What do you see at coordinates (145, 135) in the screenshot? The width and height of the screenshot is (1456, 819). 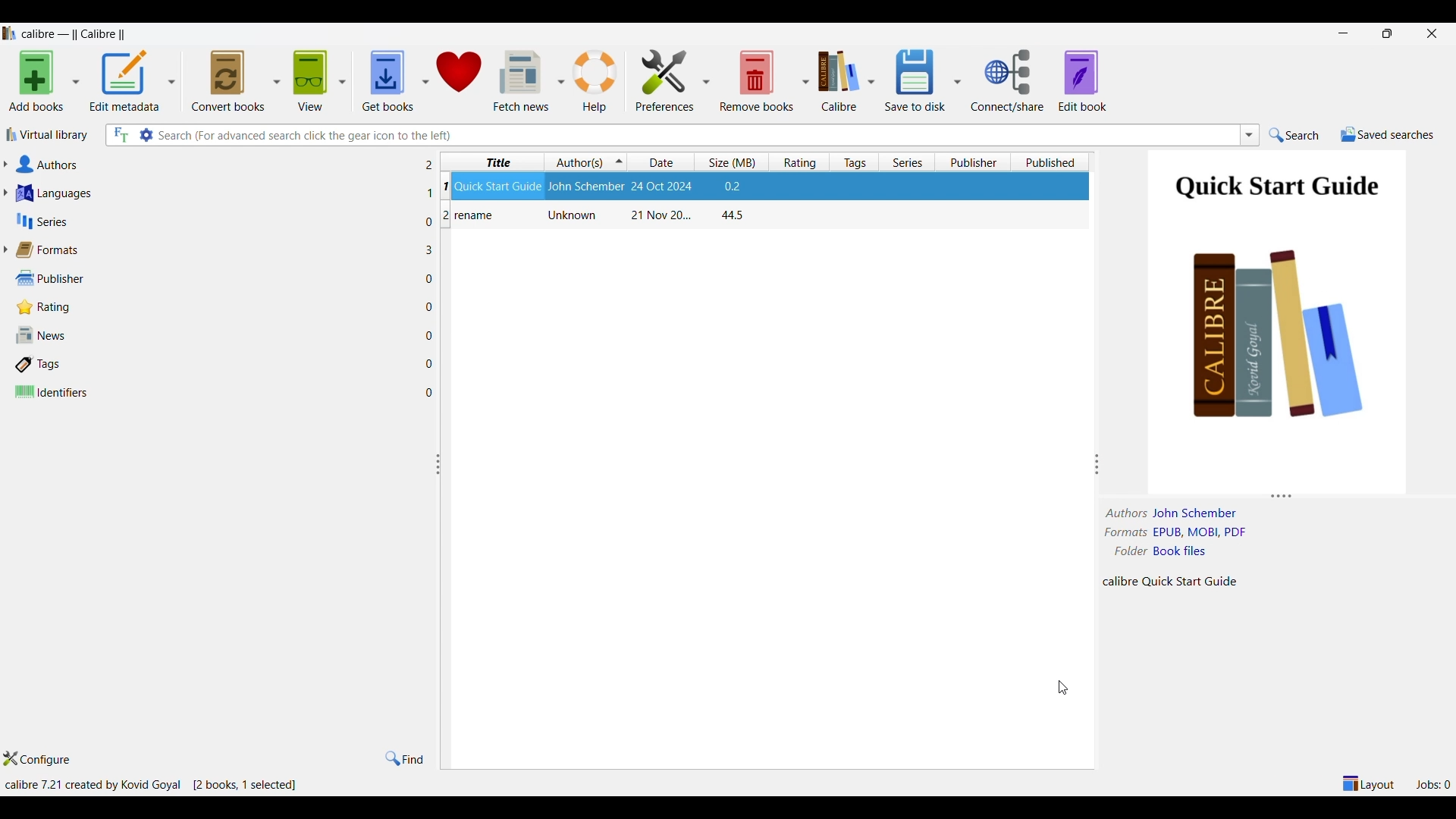 I see `Advanced search` at bounding box center [145, 135].